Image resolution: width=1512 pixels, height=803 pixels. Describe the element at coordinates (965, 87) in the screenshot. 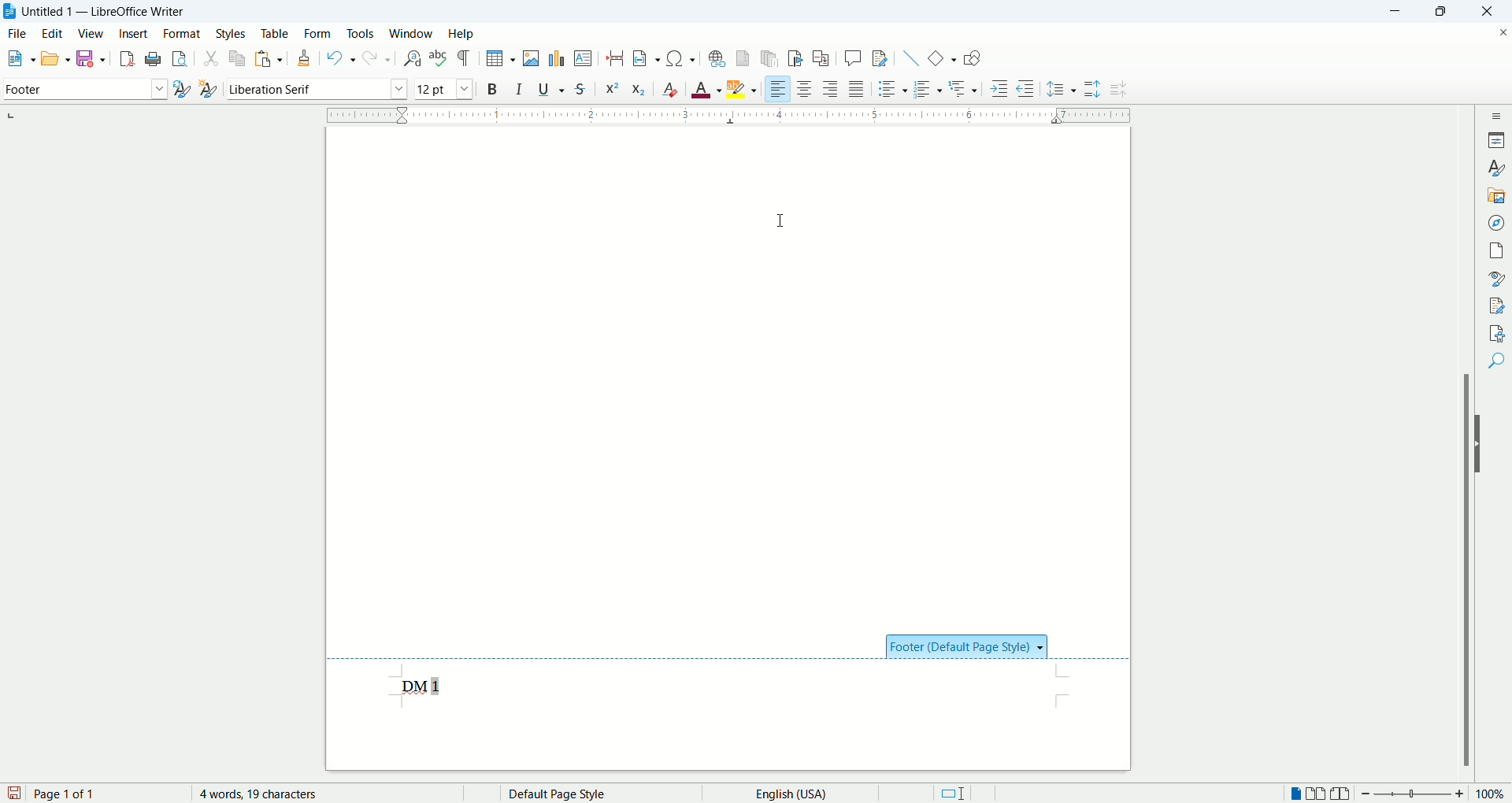

I see `outline` at that location.